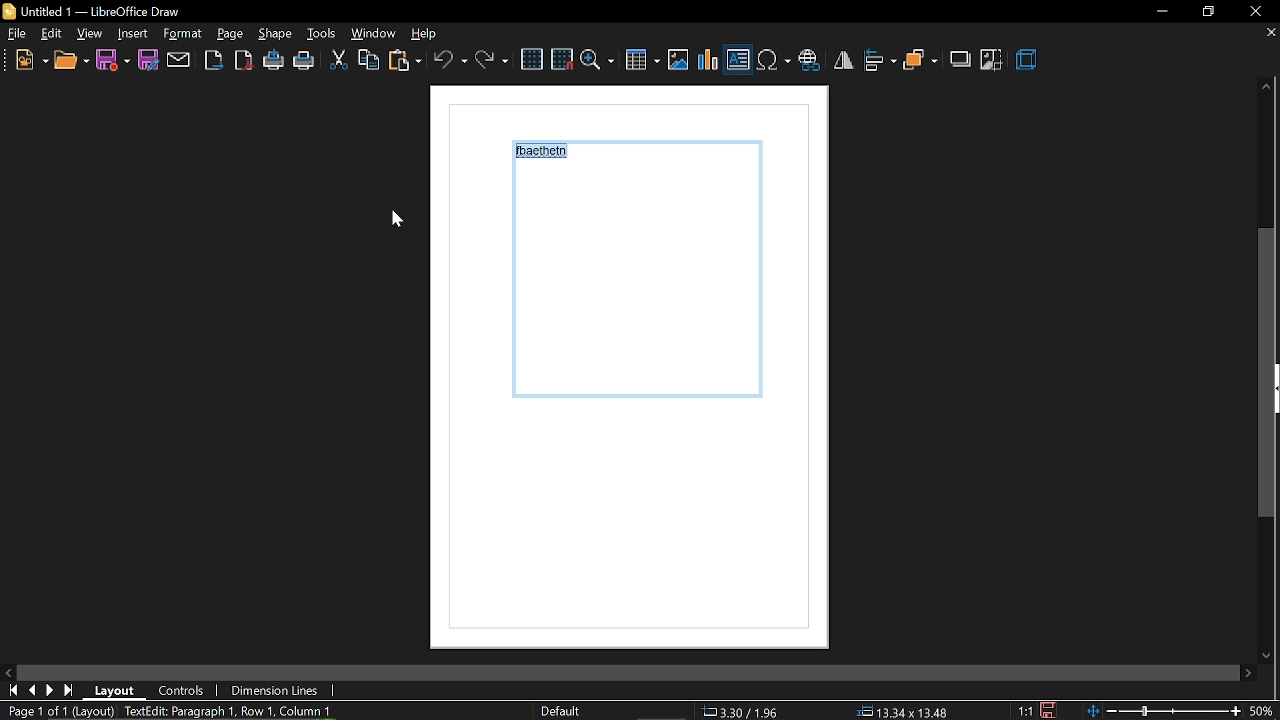 Image resolution: width=1280 pixels, height=720 pixels. I want to click on Export, so click(214, 59).